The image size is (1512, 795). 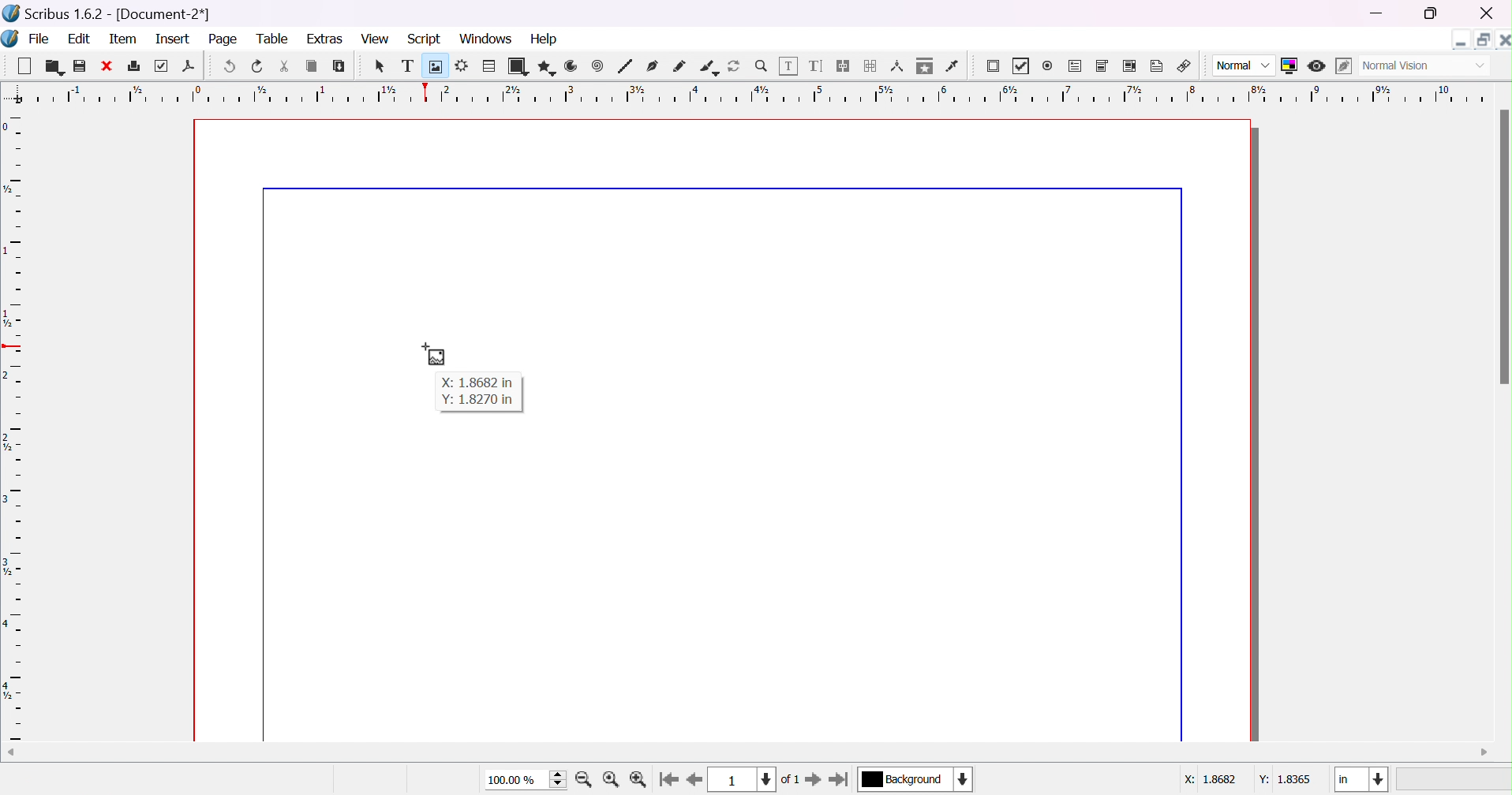 I want to click on link annotation, so click(x=1185, y=64).